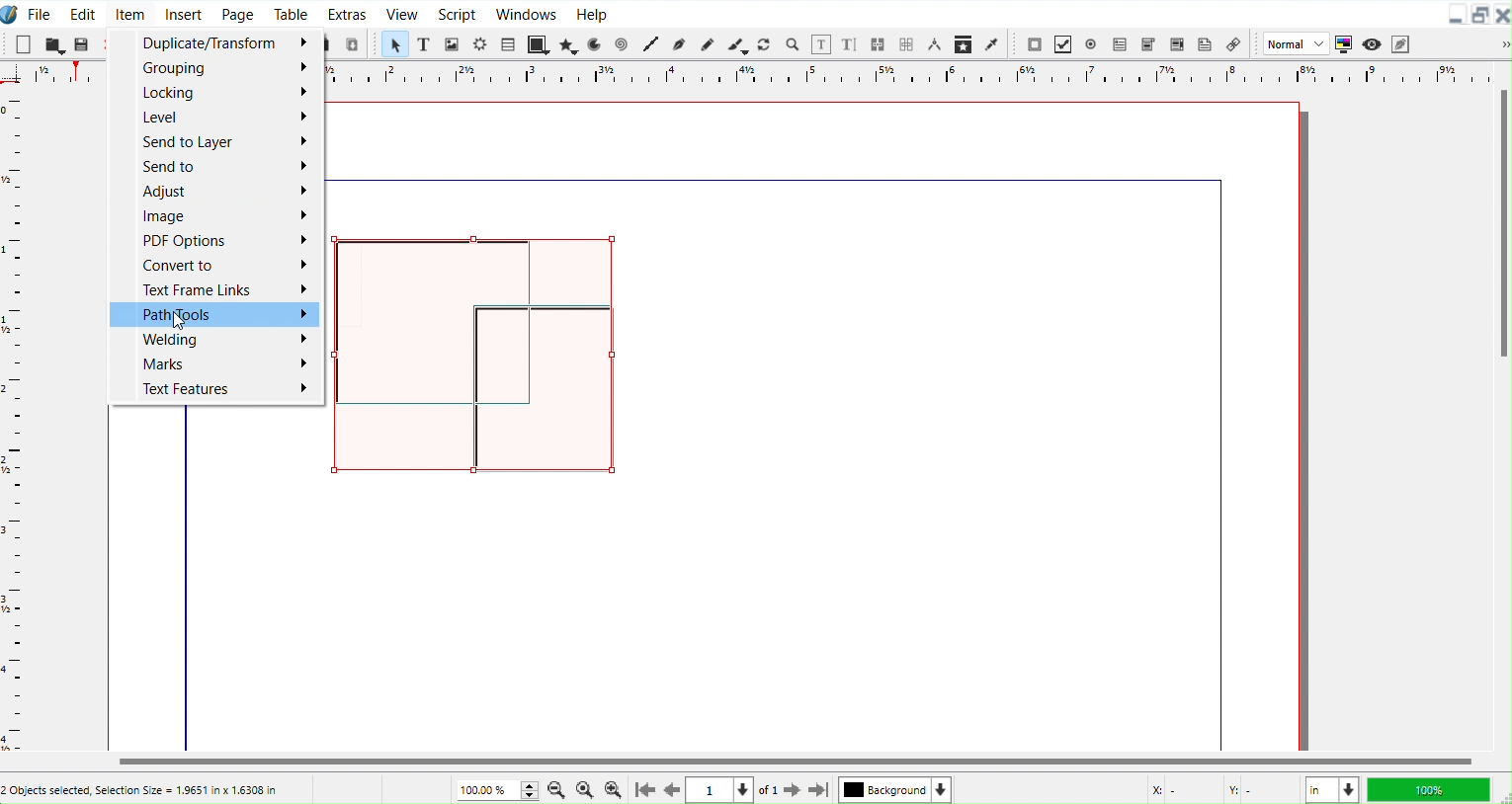 The height and width of the screenshot is (804, 1512). Describe the element at coordinates (191, 578) in the screenshot. I see `line` at that location.